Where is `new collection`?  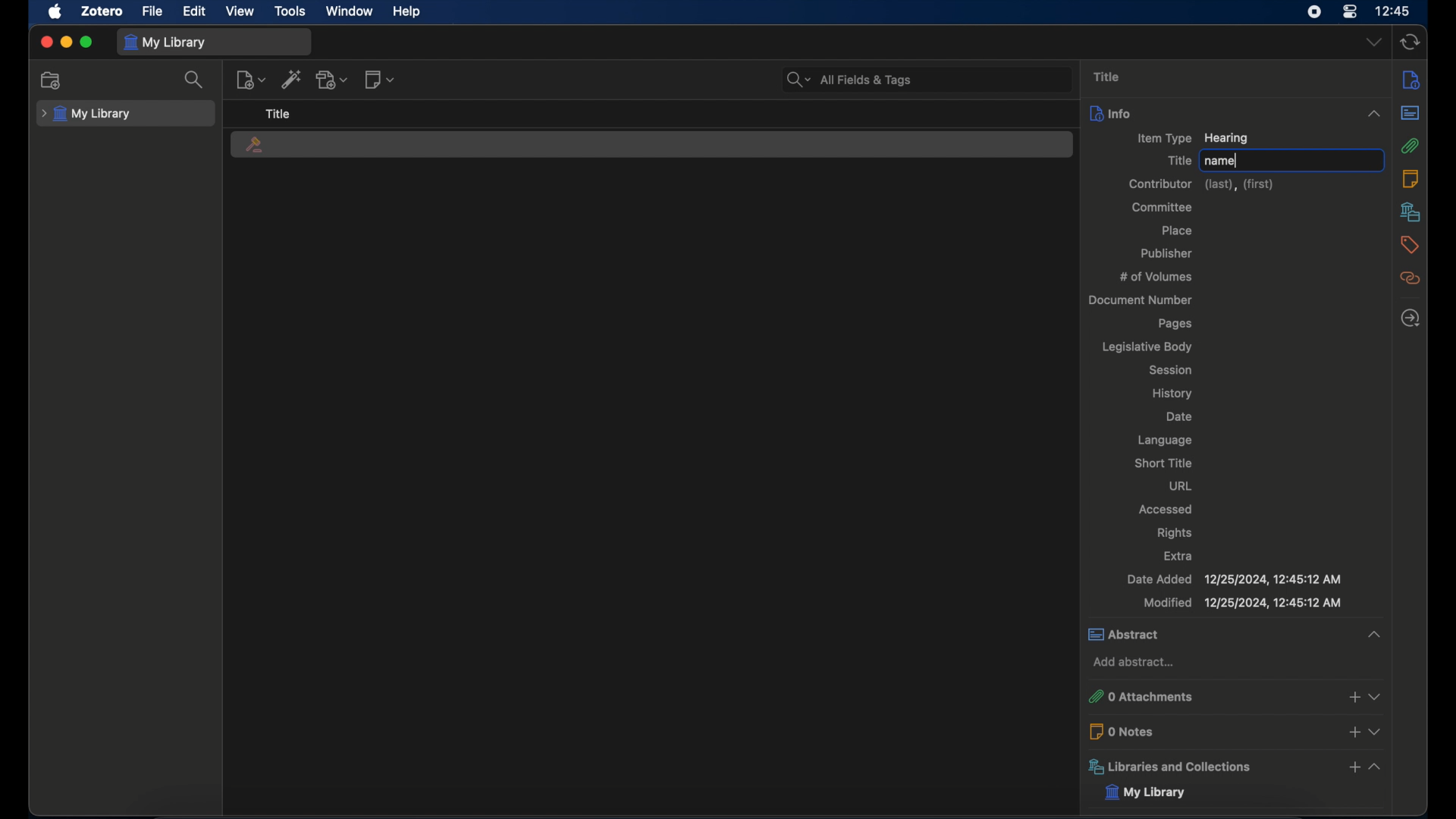
new collection is located at coordinates (53, 80).